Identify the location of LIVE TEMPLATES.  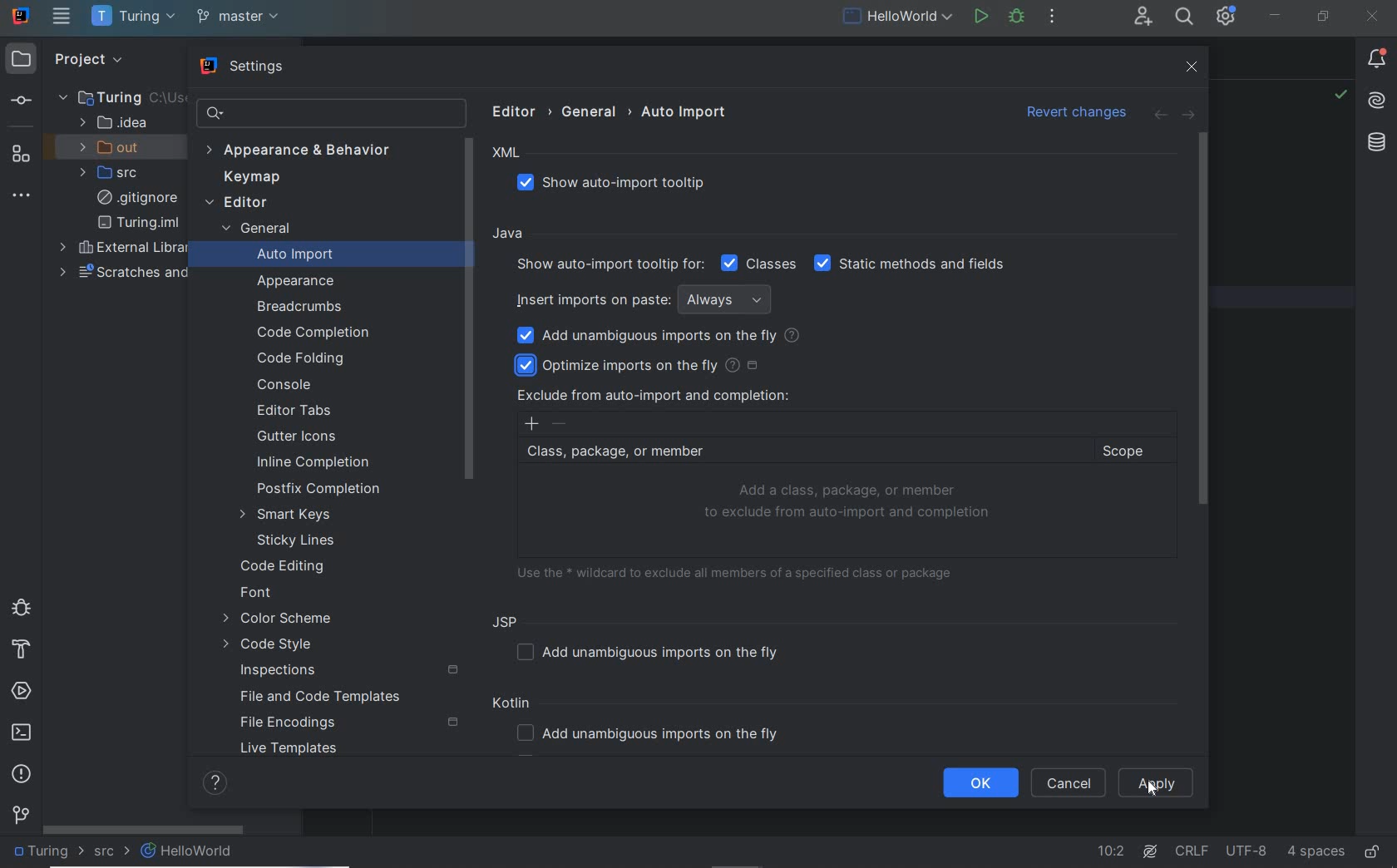
(295, 752).